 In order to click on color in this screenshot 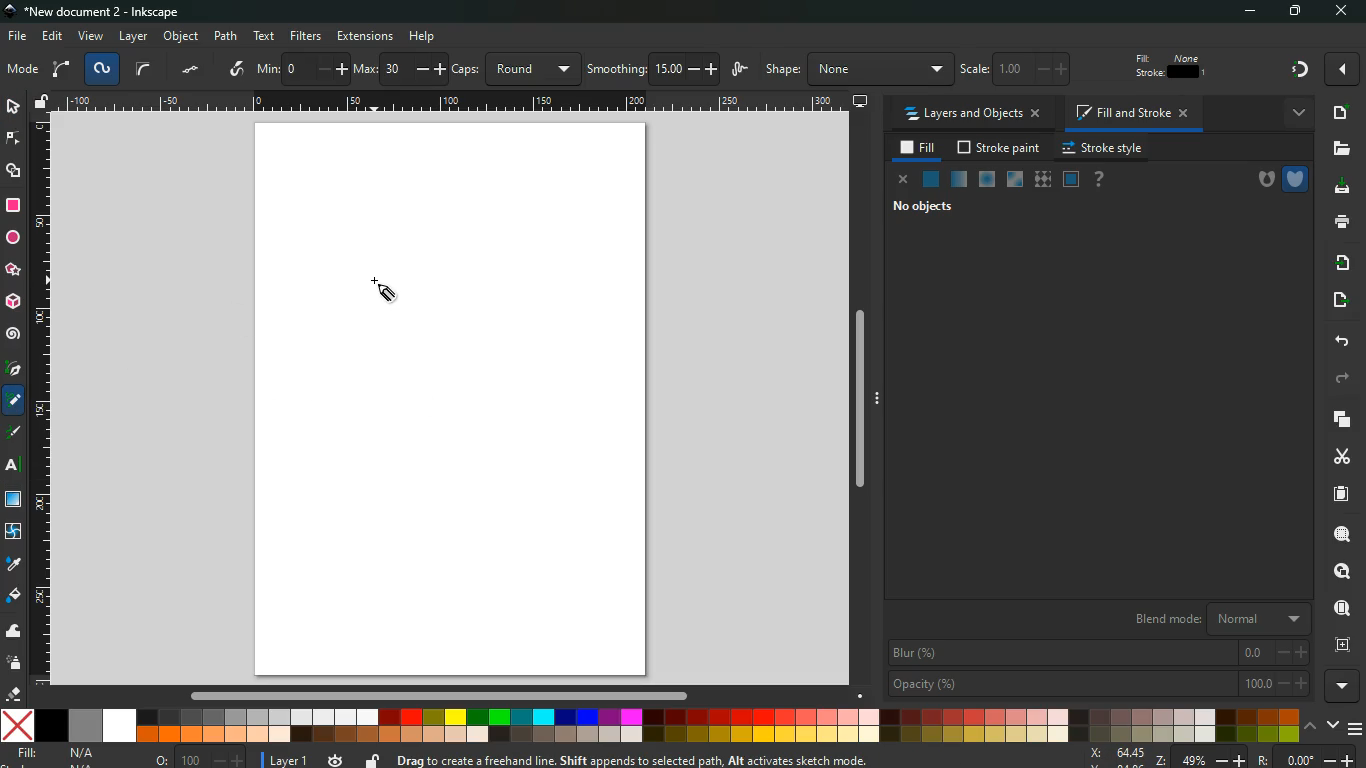, I will do `click(649, 725)`.